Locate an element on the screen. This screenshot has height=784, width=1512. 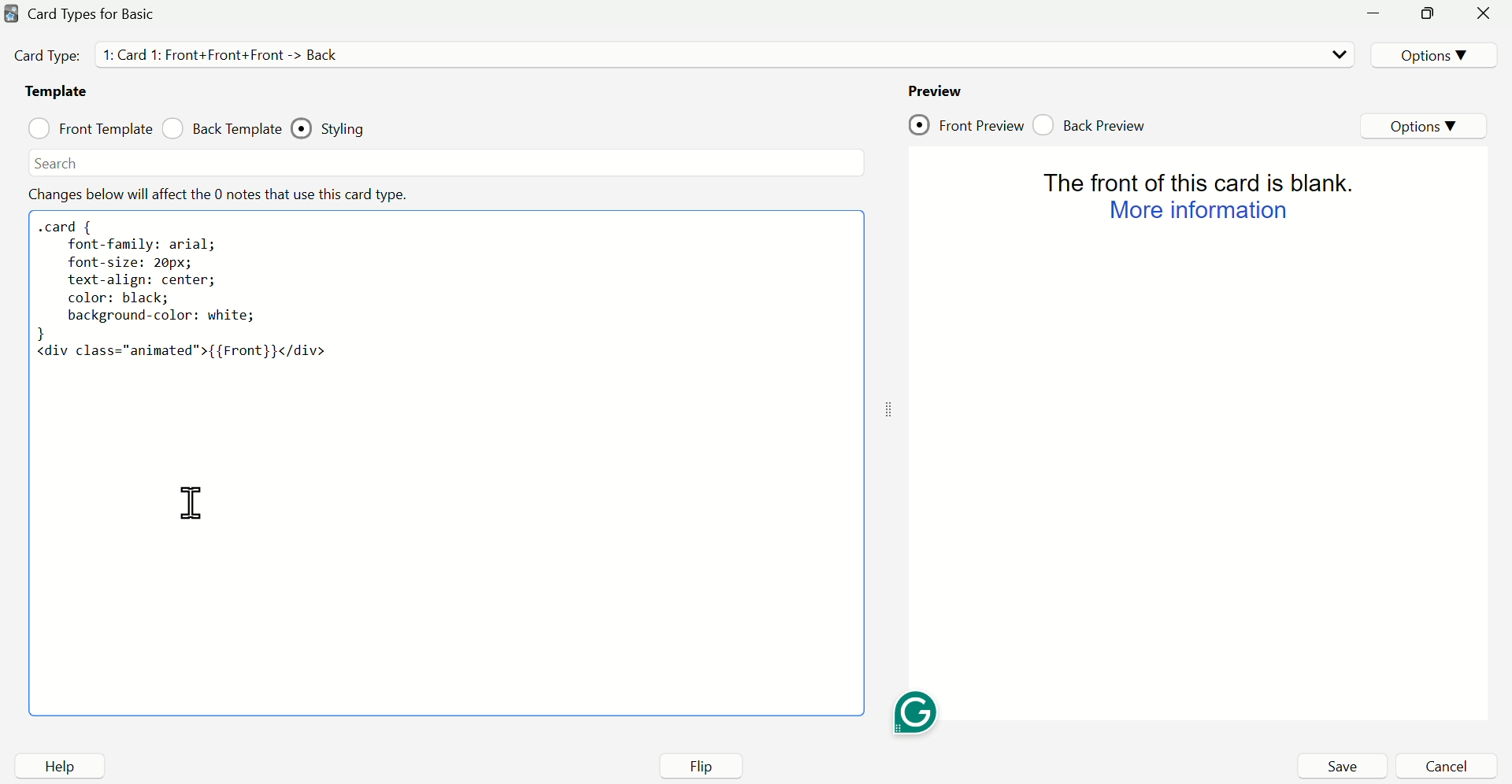
Preview is located at coordinates (1204, 435).